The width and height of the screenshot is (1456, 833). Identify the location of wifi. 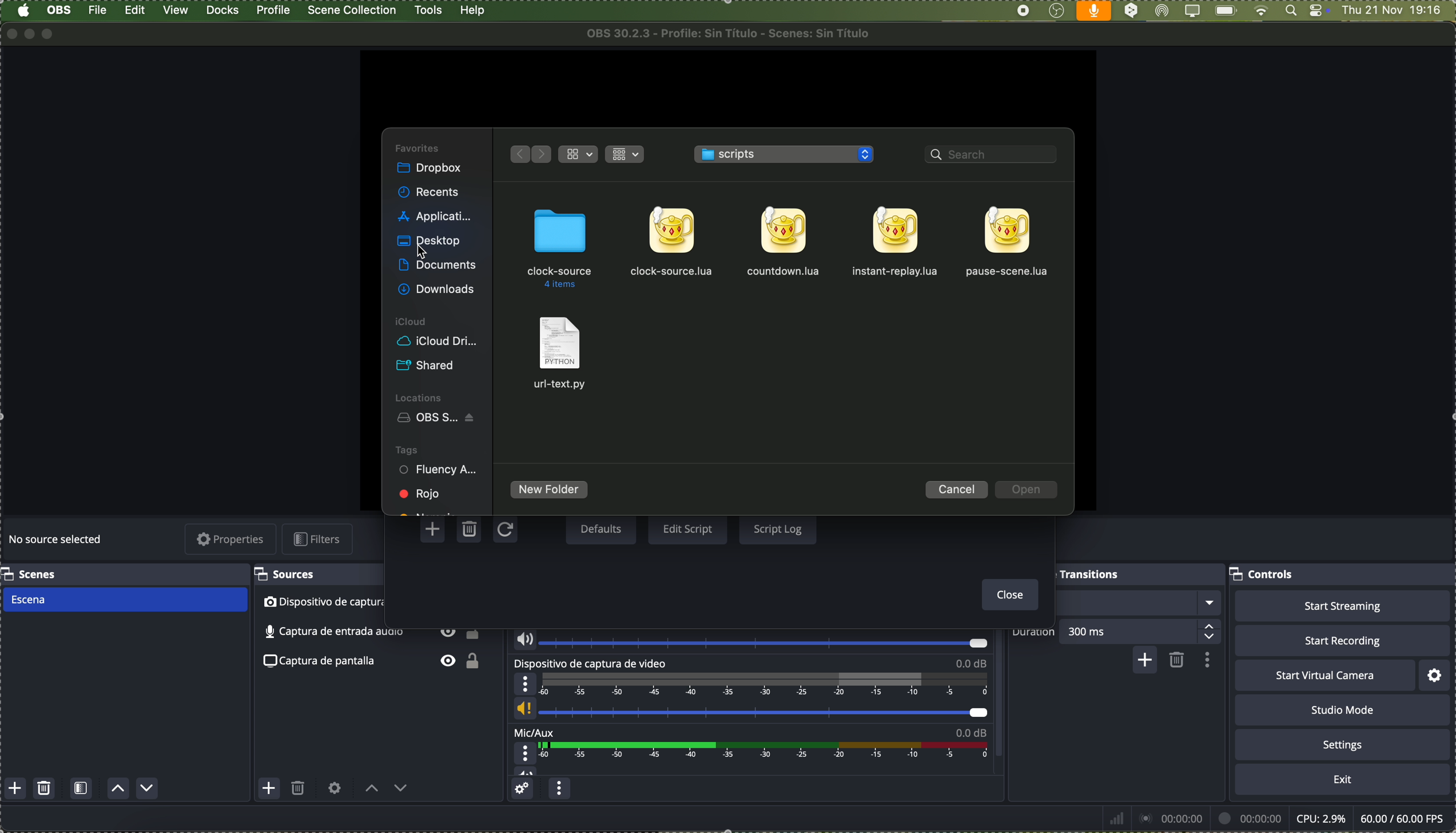
(1261, 11).